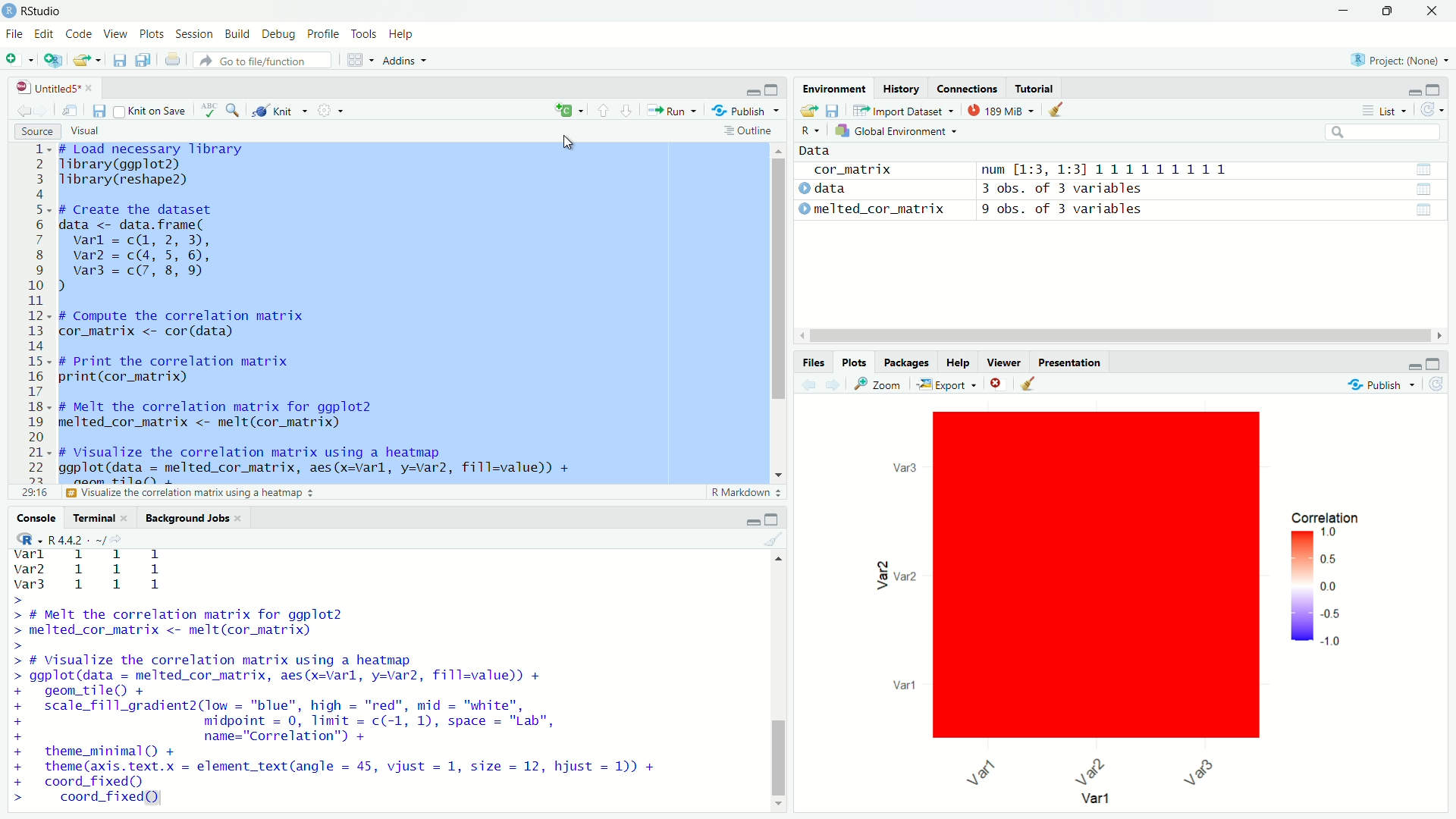  Describe the element at coordinates (883, 171) in the screenshot. I see `data 1 : cor_matrix` at that location.